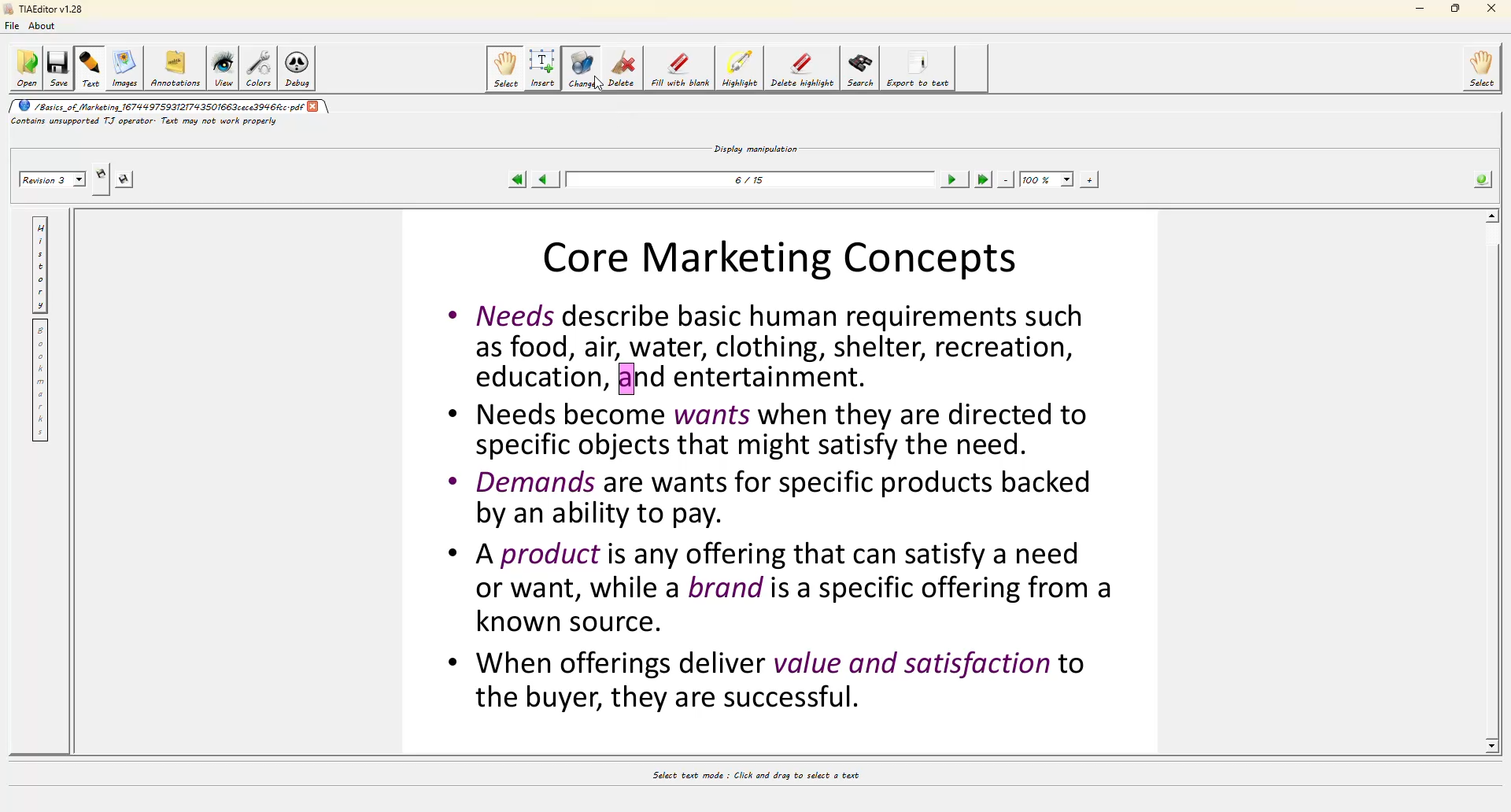 The image size is (1511, 812). I want to click on minimize, so click(1419, 9).